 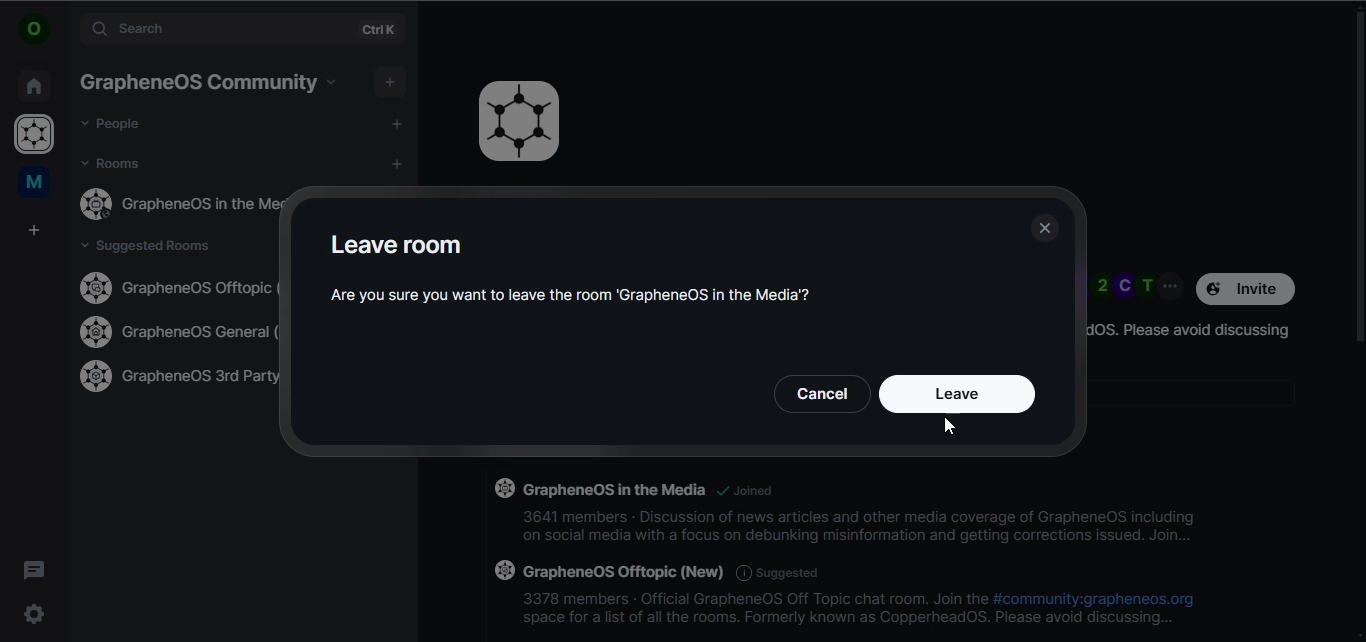 I want to click on ancel, so click(x=825, y=393).